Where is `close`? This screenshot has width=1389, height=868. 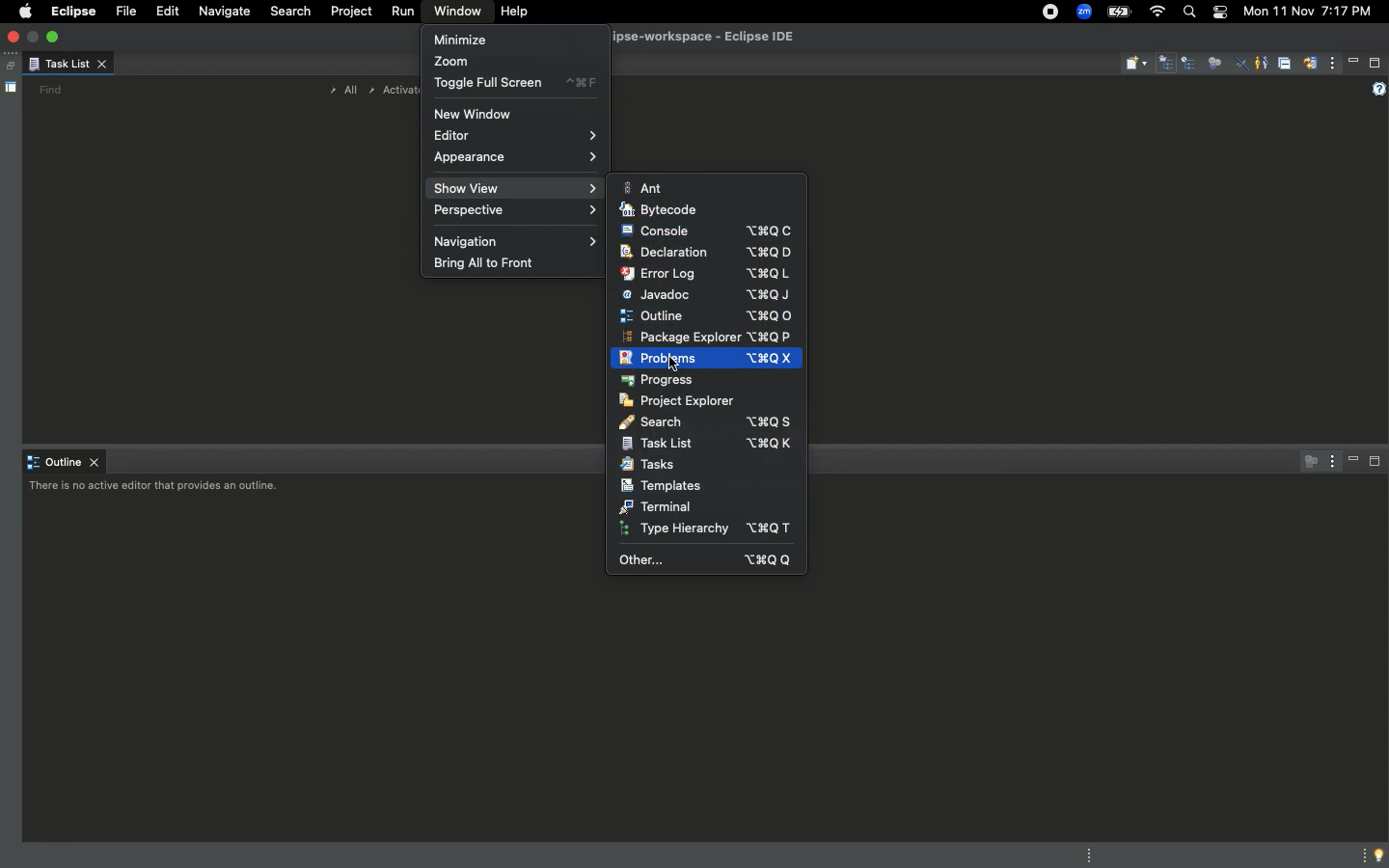
close is located at coordinates (15, 38).